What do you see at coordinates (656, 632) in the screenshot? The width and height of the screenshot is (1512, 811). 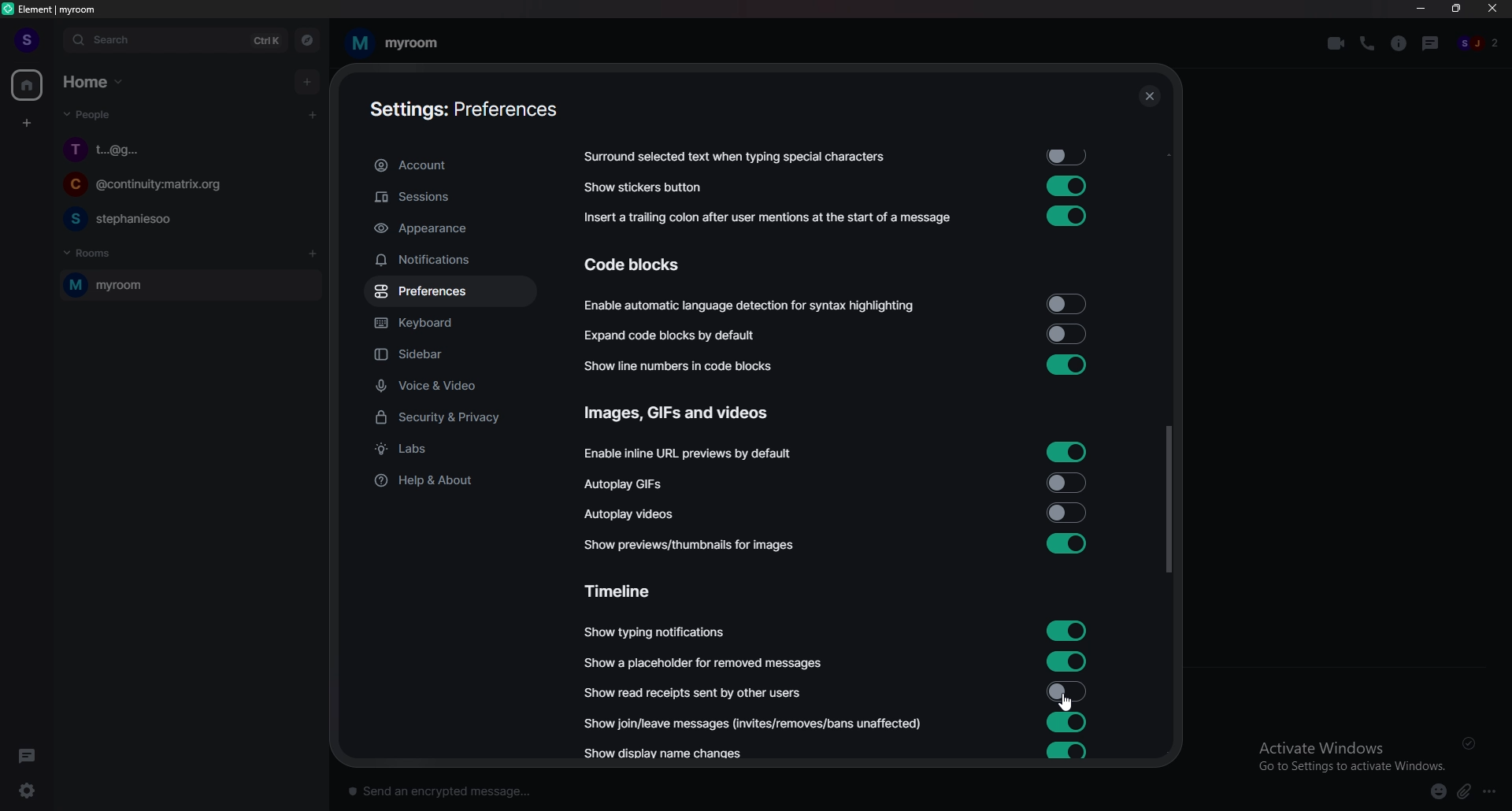 I see `show typing notification` at bounding box center [656, 632].